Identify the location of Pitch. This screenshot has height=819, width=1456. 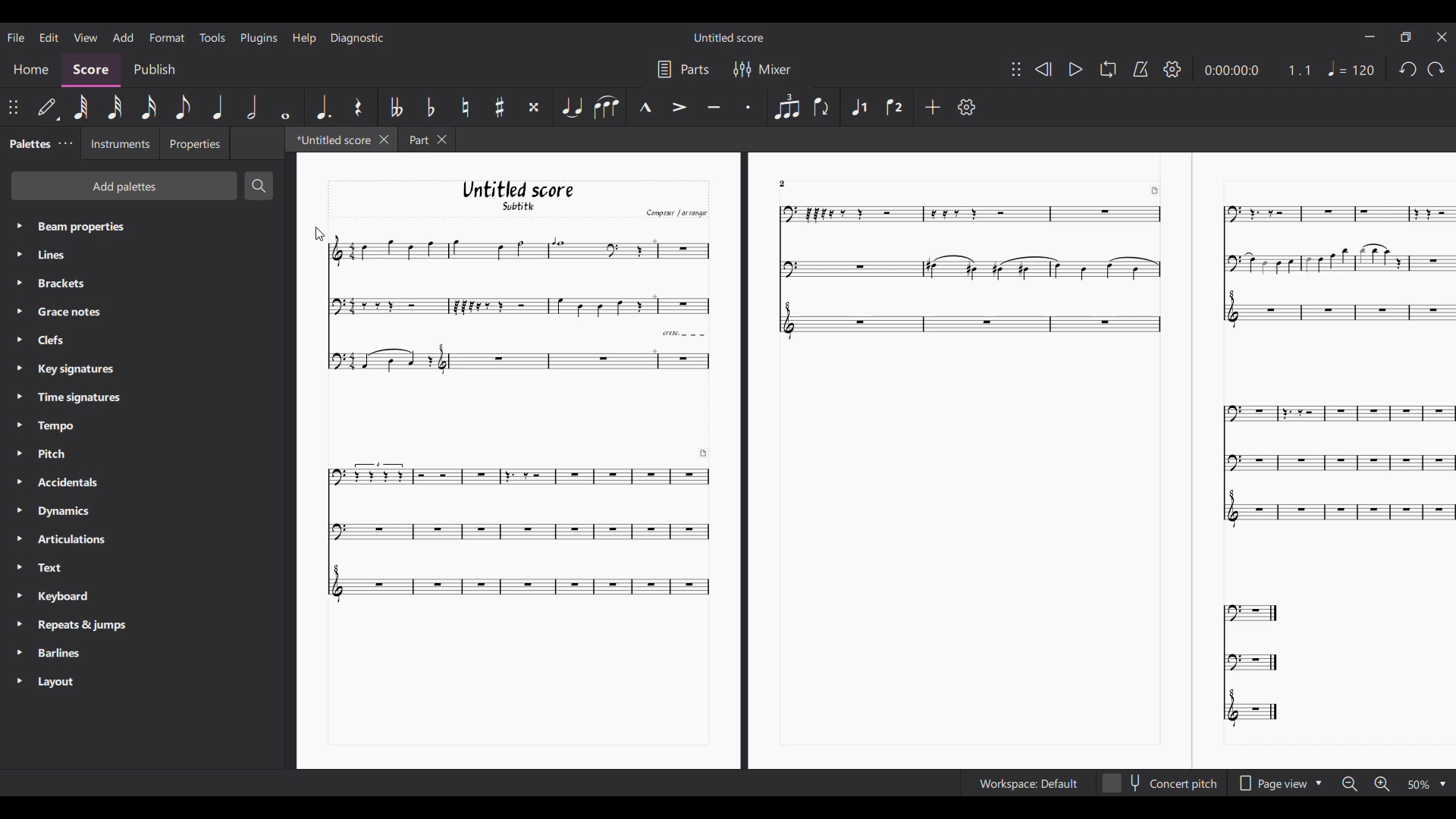
(63, 453).